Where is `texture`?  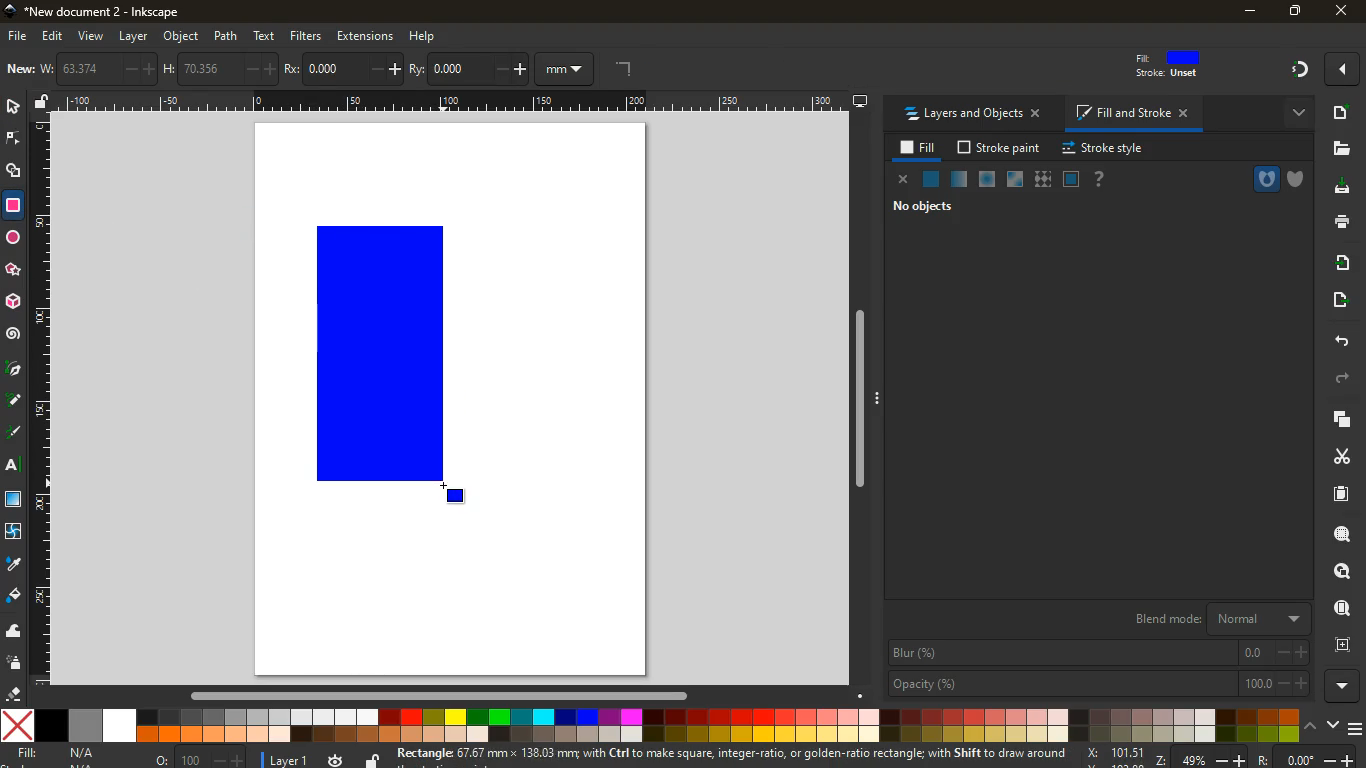 texture is located at coordinates (1042, 179).